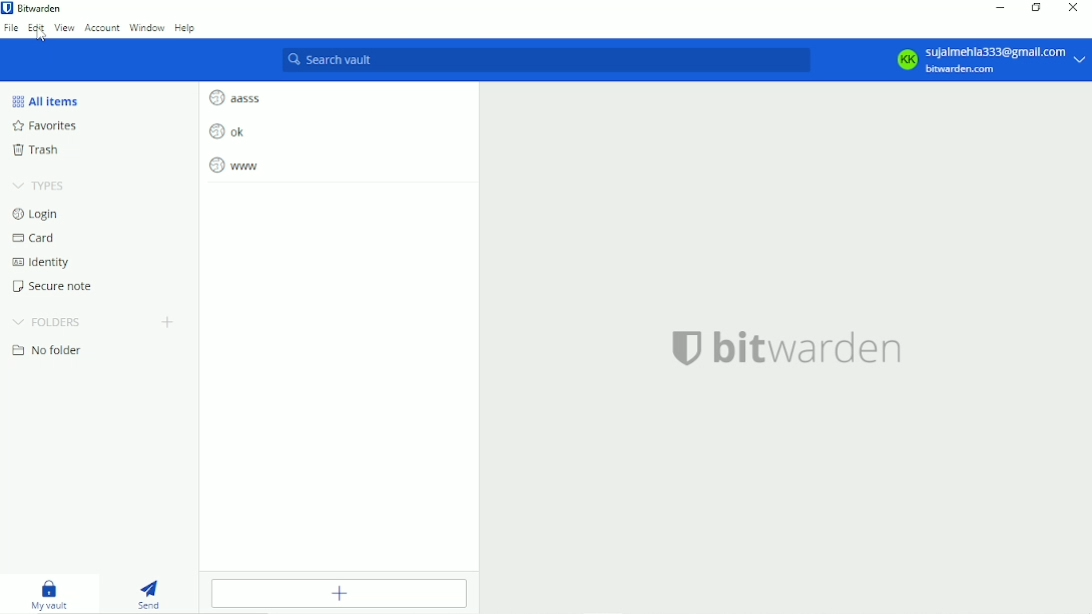 The height and width of the screenshot is (614, 1092). What do you see at coordinates (188, 27) in the screenshot?
I see `Help` at bounding box center [188, 27].